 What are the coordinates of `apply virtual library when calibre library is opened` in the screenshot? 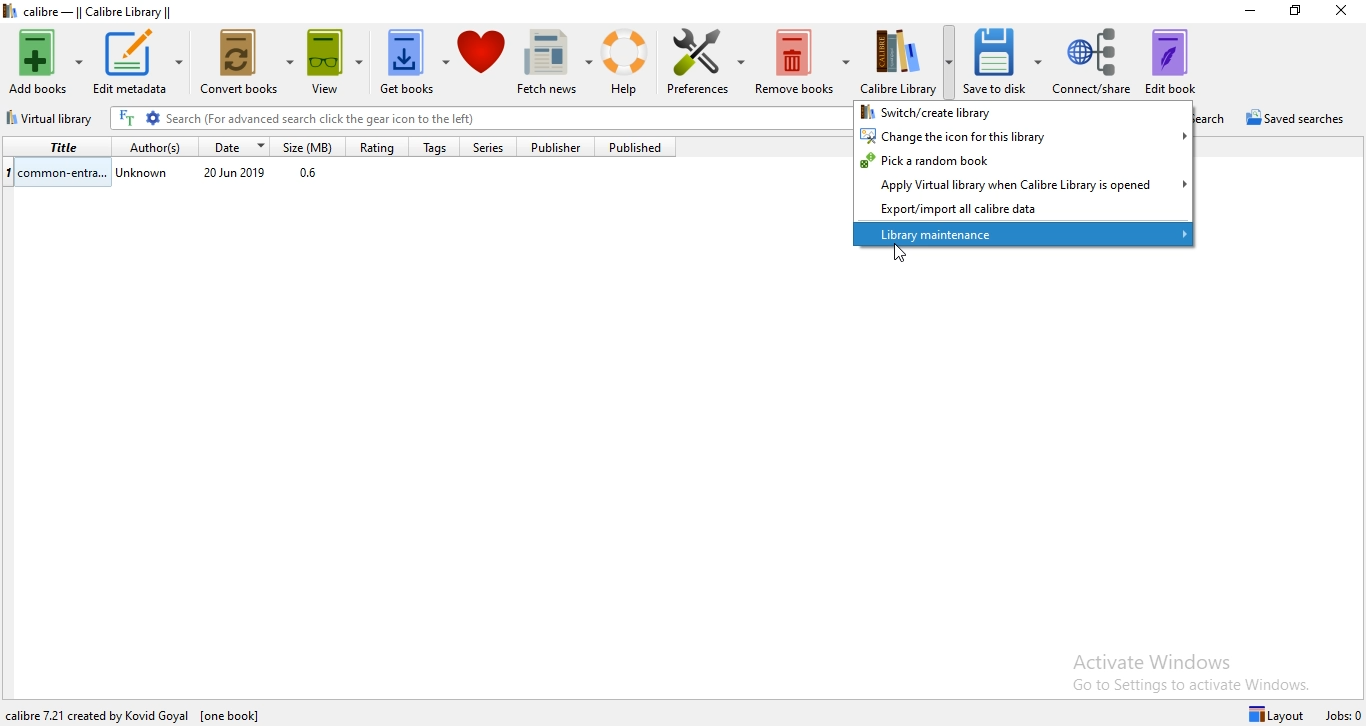 It's located at (1024, 184).